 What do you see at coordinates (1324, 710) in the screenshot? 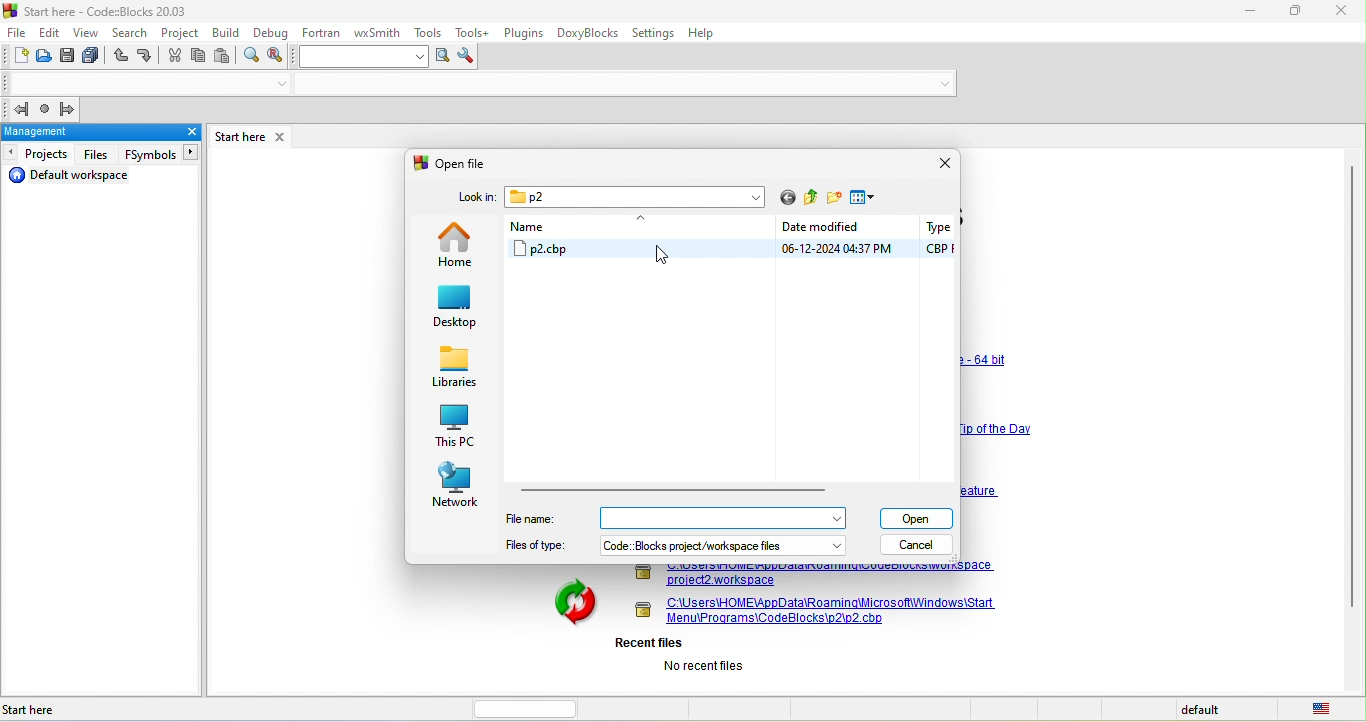
I see `united state` at bounding box center [1324, 710].